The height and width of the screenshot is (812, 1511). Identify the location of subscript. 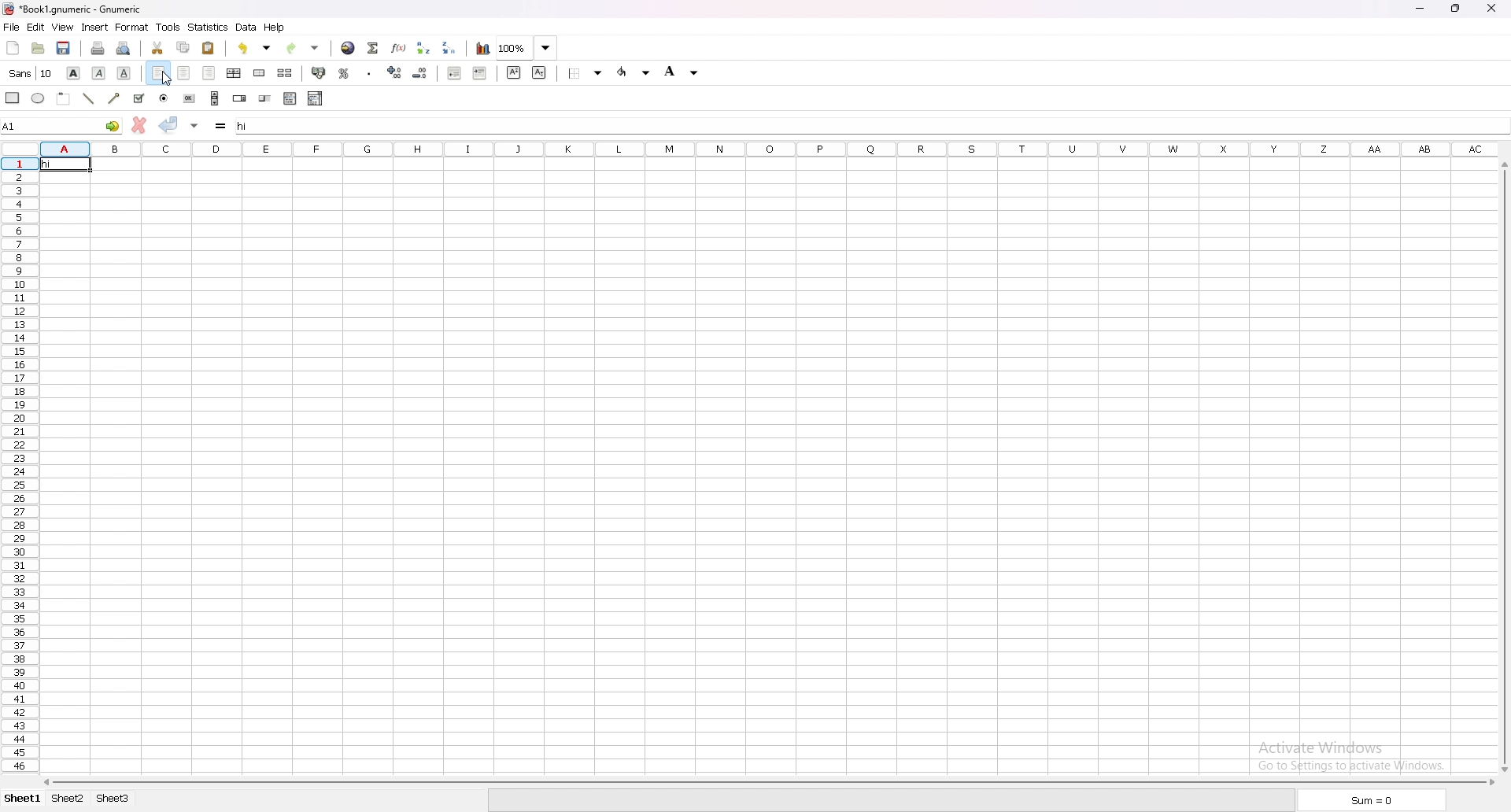
(540, 72).